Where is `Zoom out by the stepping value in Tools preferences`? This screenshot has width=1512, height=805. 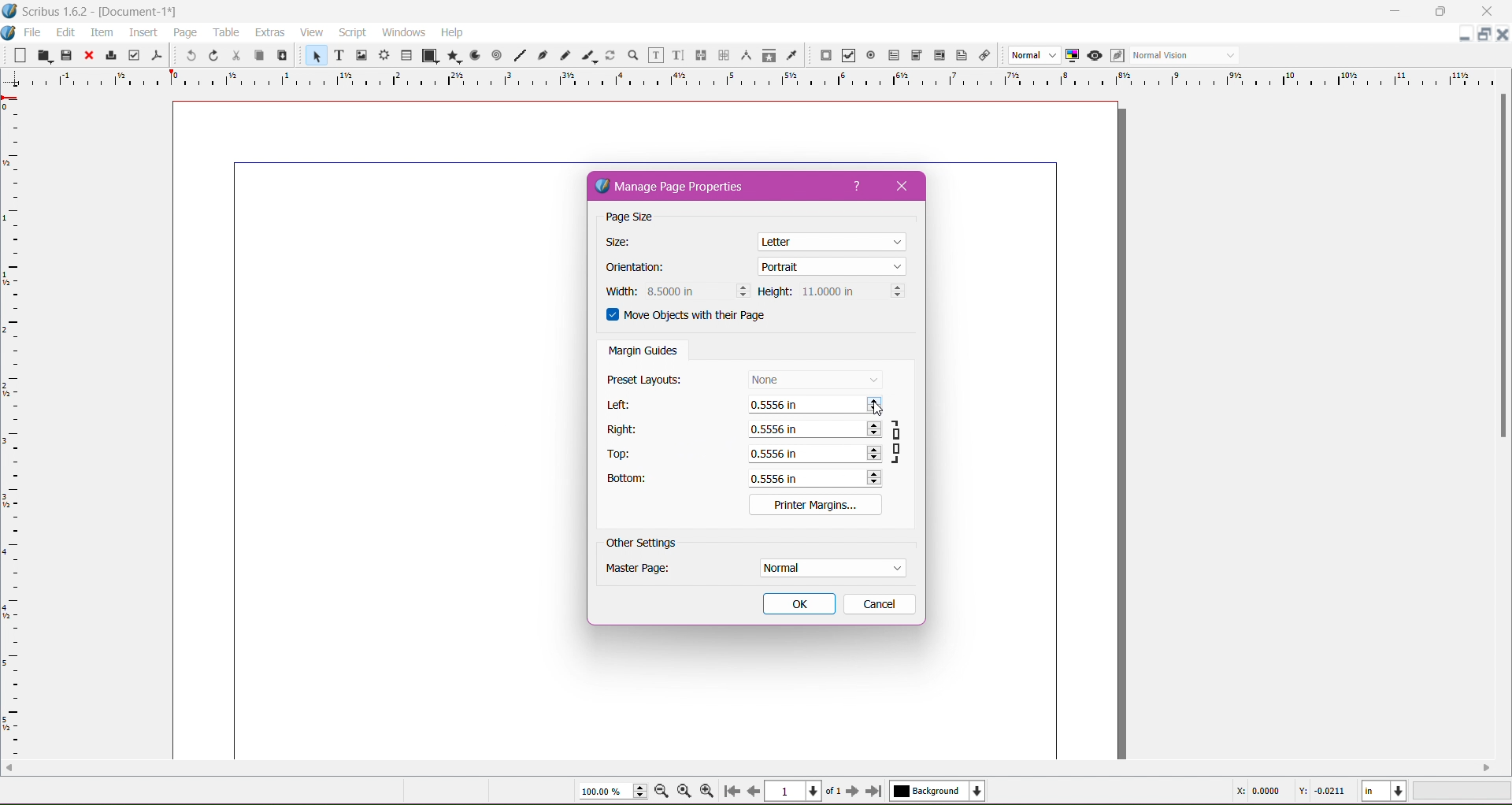
Zoom out by the stepping value in Tools preferences is located at coordinates (662, 792).